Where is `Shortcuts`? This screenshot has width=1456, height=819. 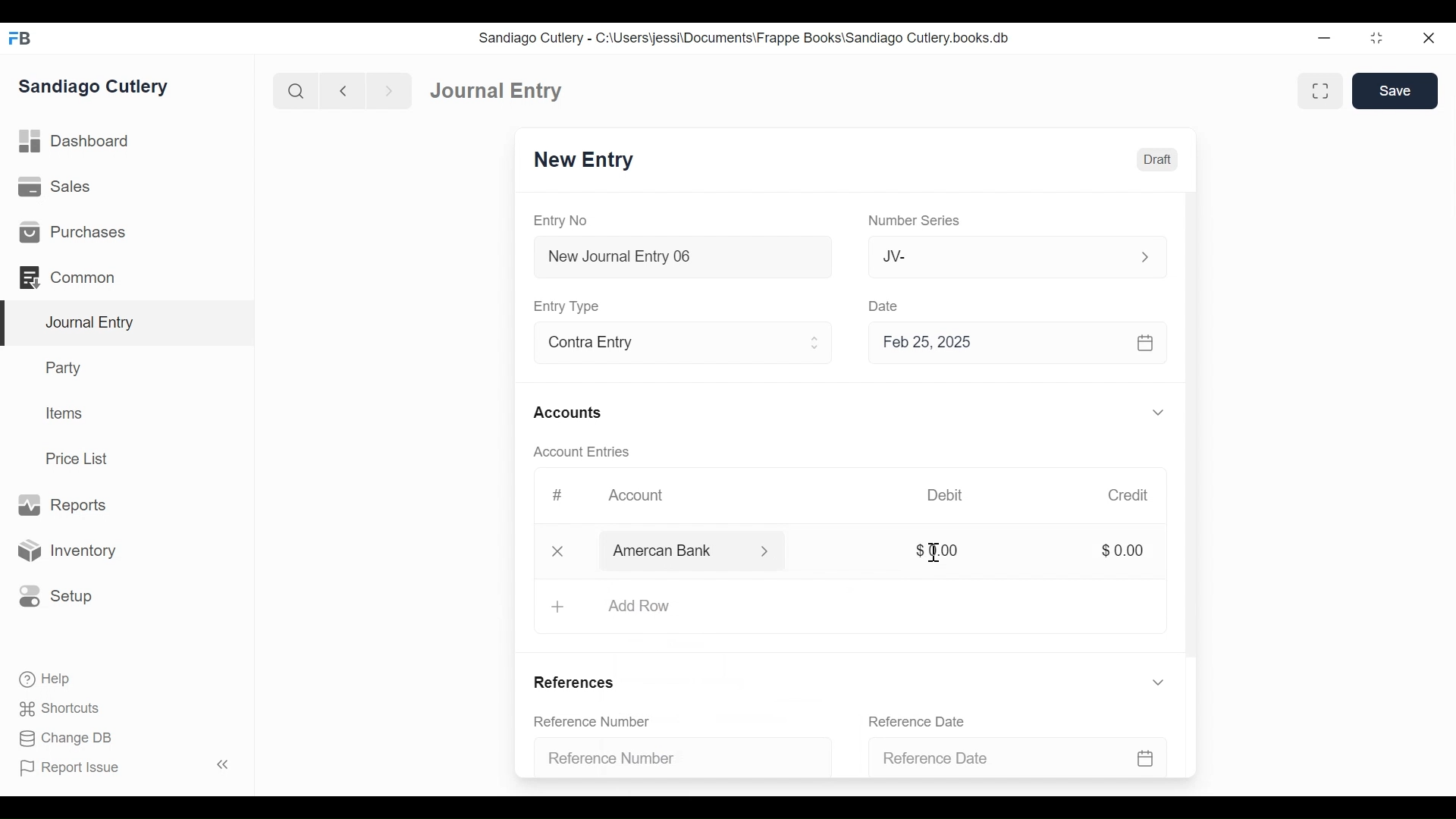 Shortcuts is located at coordinates (64, 708).